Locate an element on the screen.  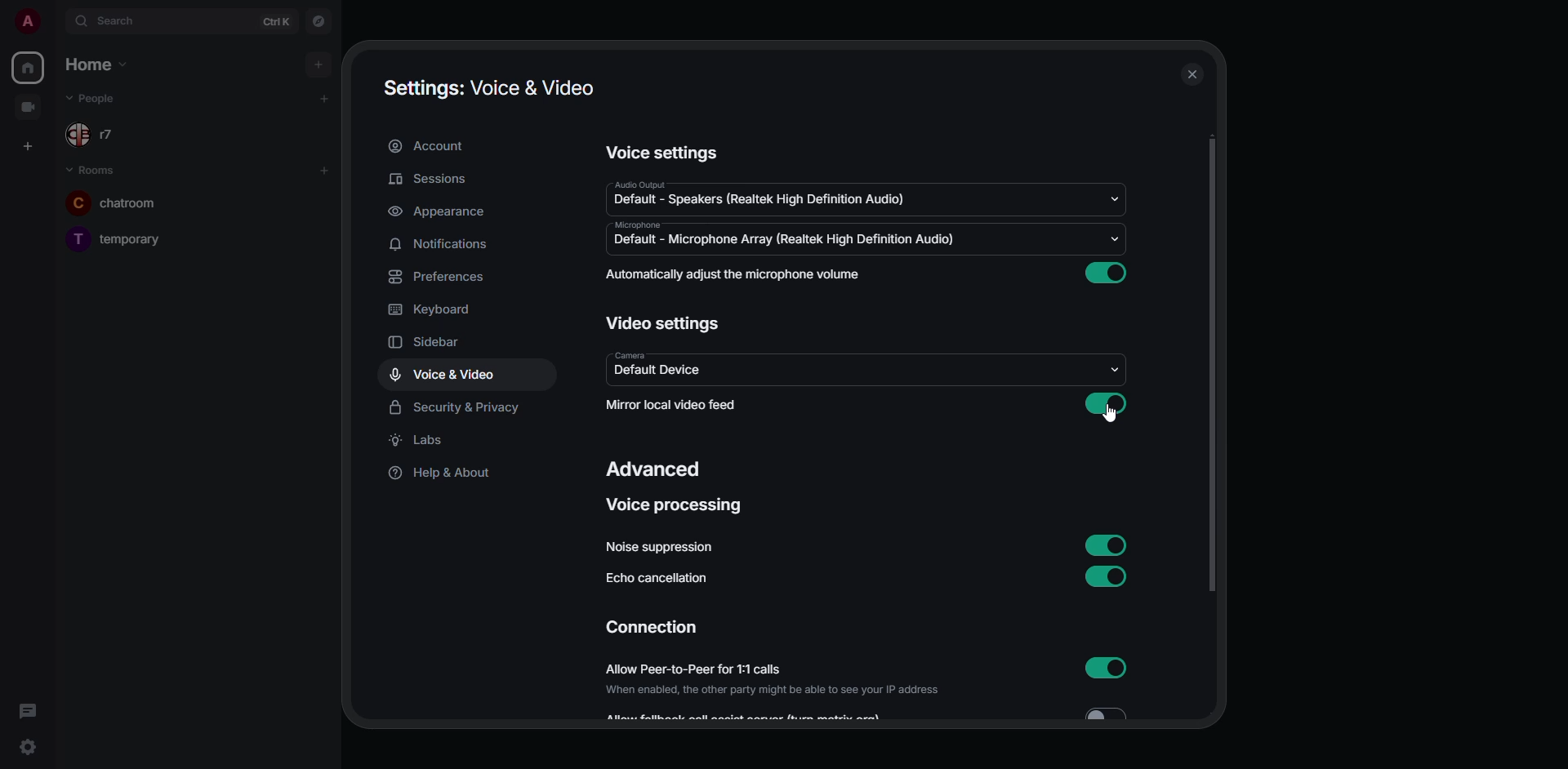
sessions is located at coordinates (432, 180).